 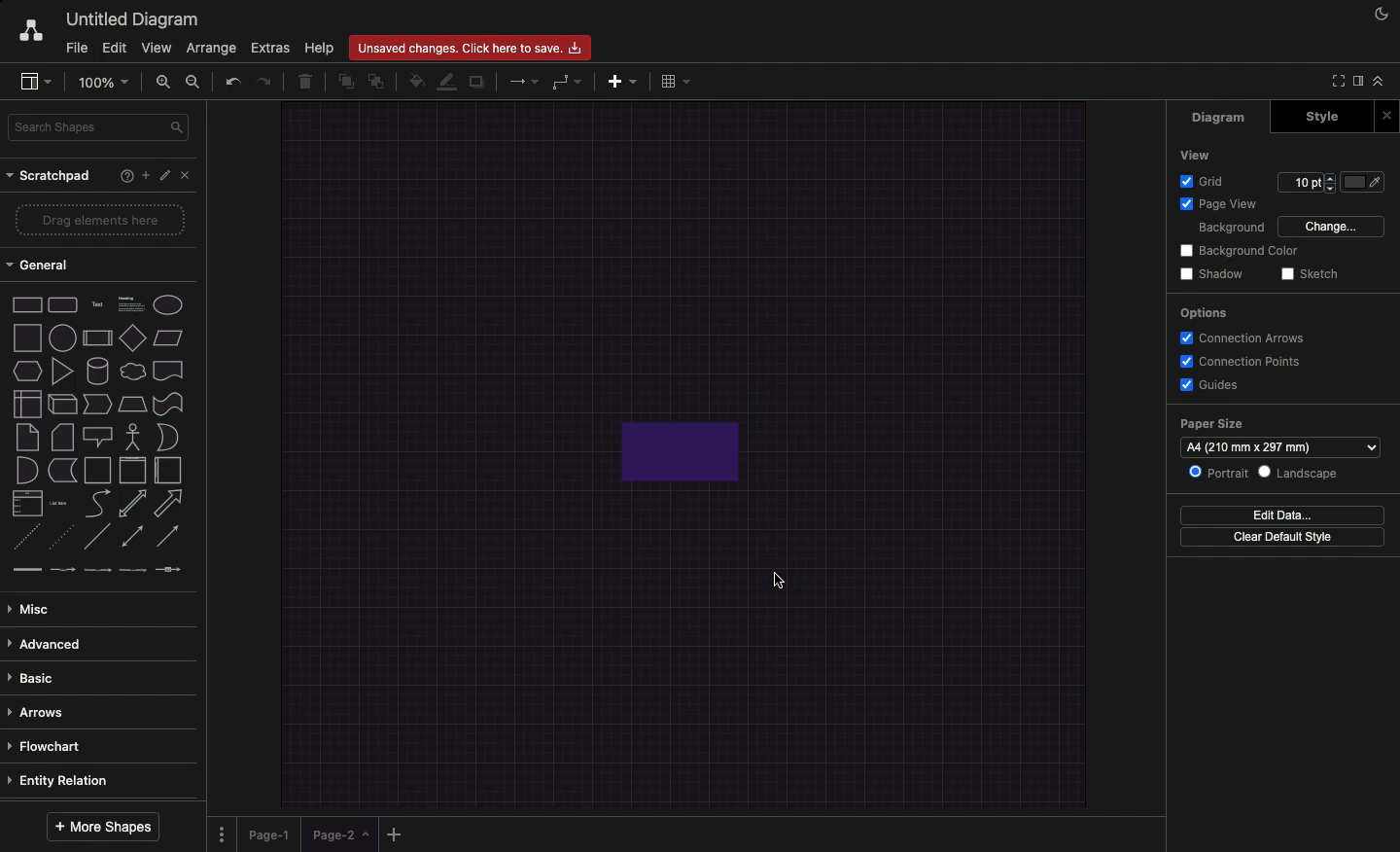 I want to click on Add, so click(x=395, y=834).